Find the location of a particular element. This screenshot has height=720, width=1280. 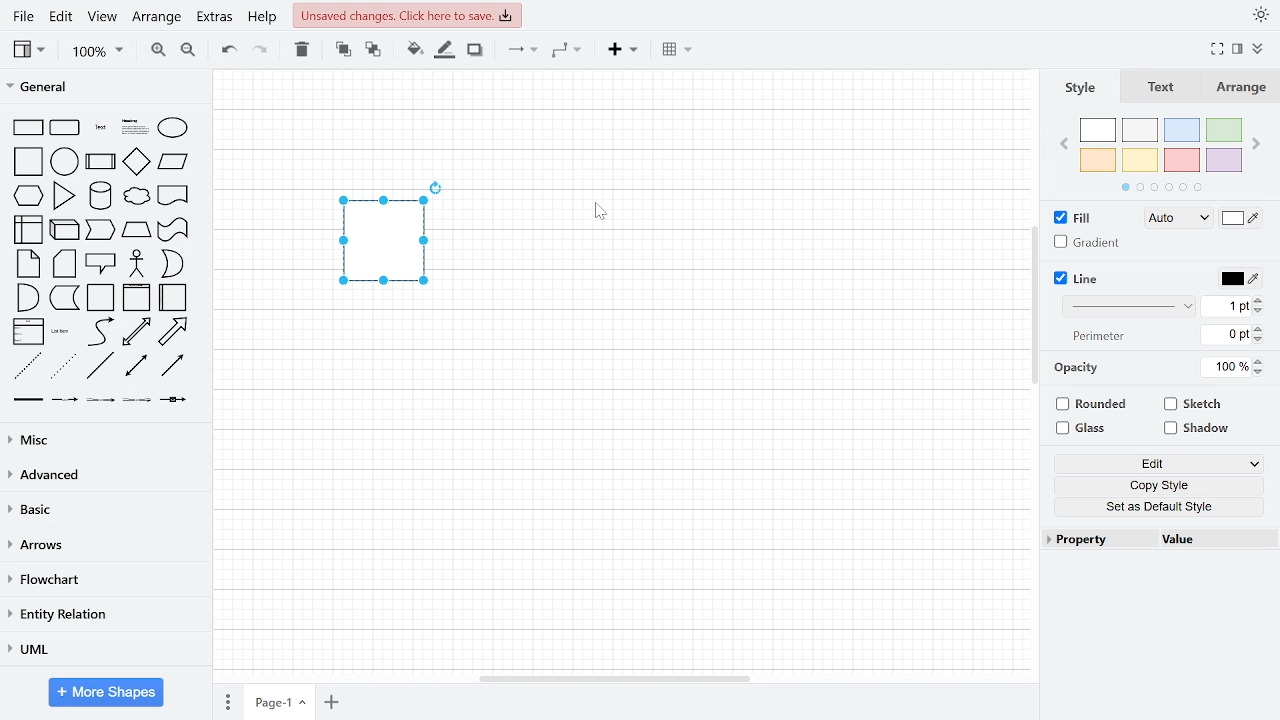

step is located at coordinates (100, 229).